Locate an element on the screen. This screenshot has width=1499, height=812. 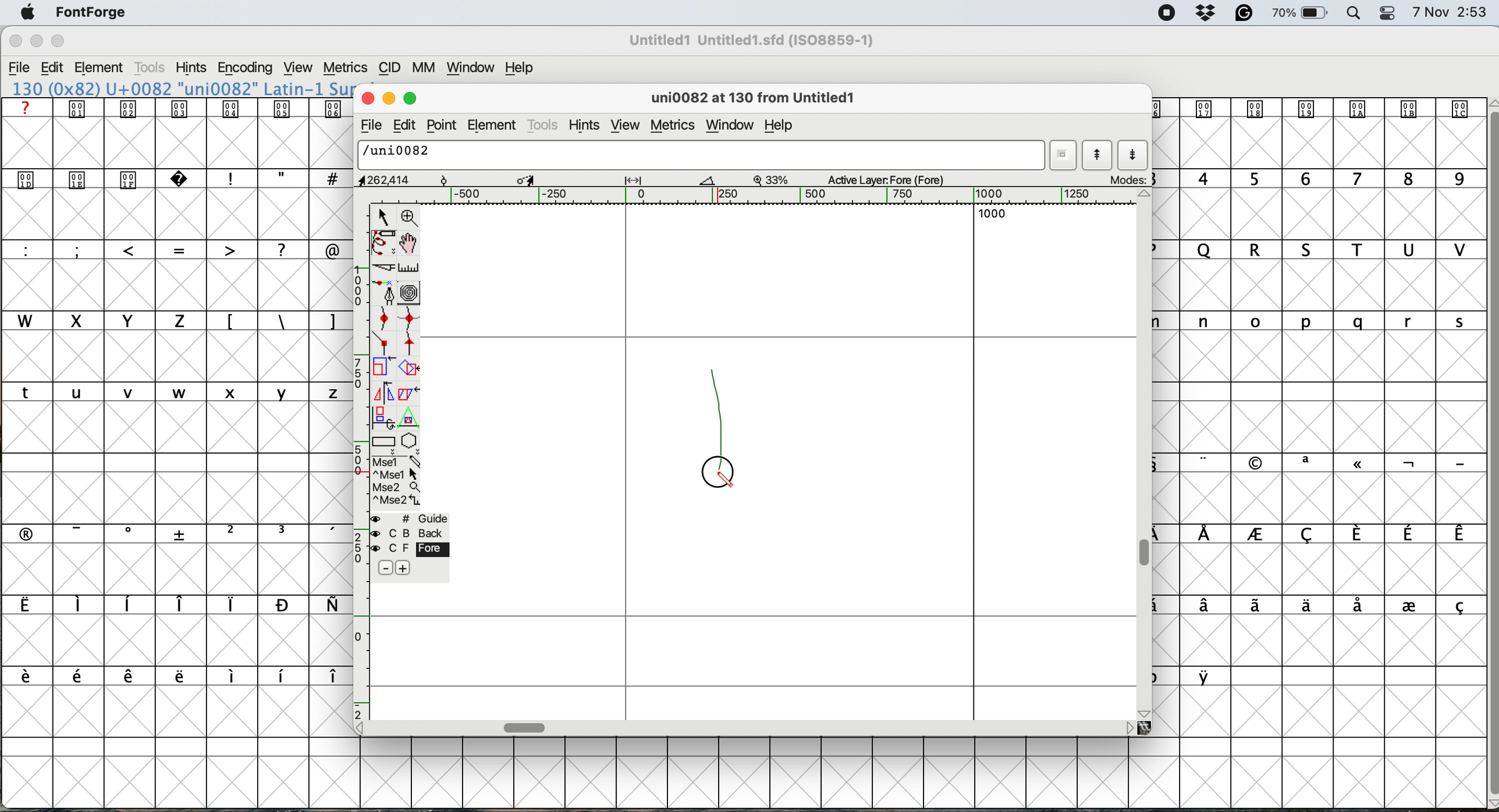
uppercase letters is located at coordinates (376, 250).